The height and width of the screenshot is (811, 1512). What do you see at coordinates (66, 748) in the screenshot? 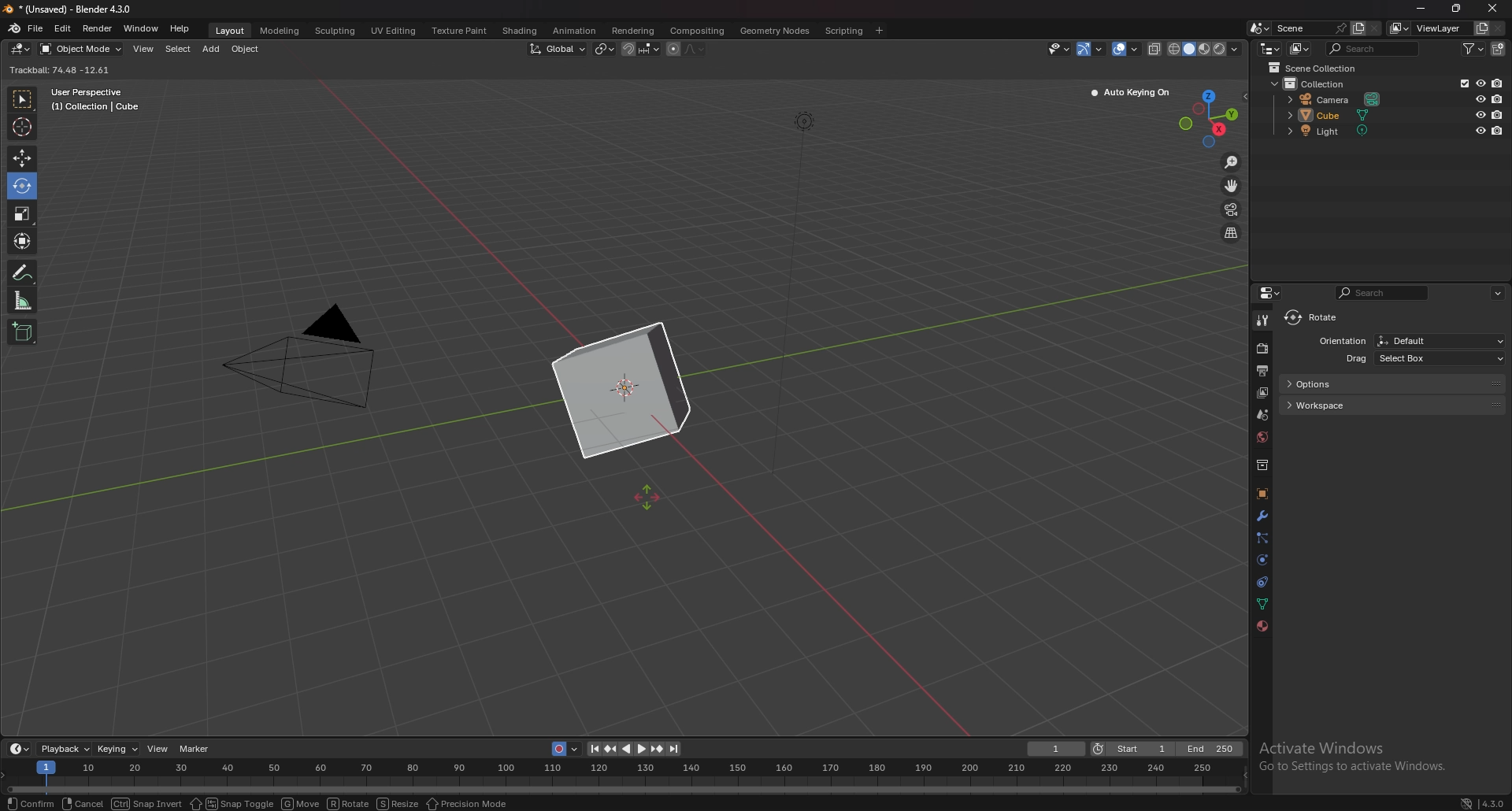
I see `playback` at bounding box center [66, 748].